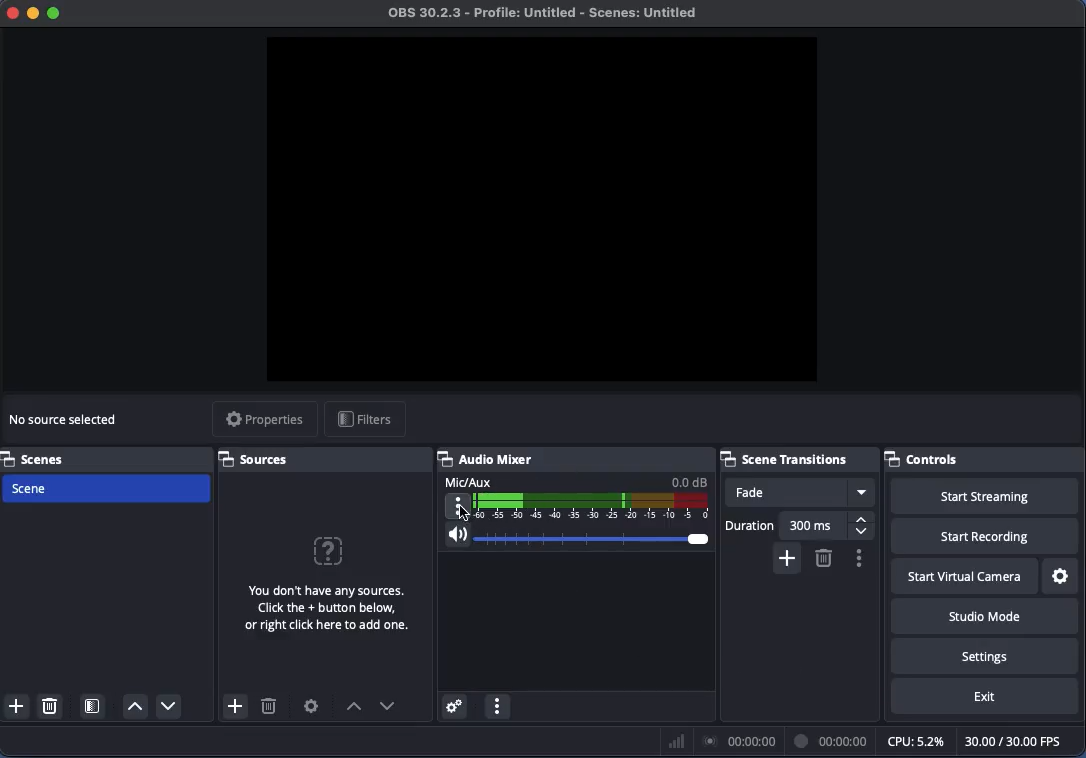 This screenshot has height=758, width=1086. What do you see at coordinates (33, 12) in the screenshot?
I see `Minimize` at bounding box center [33, 12].